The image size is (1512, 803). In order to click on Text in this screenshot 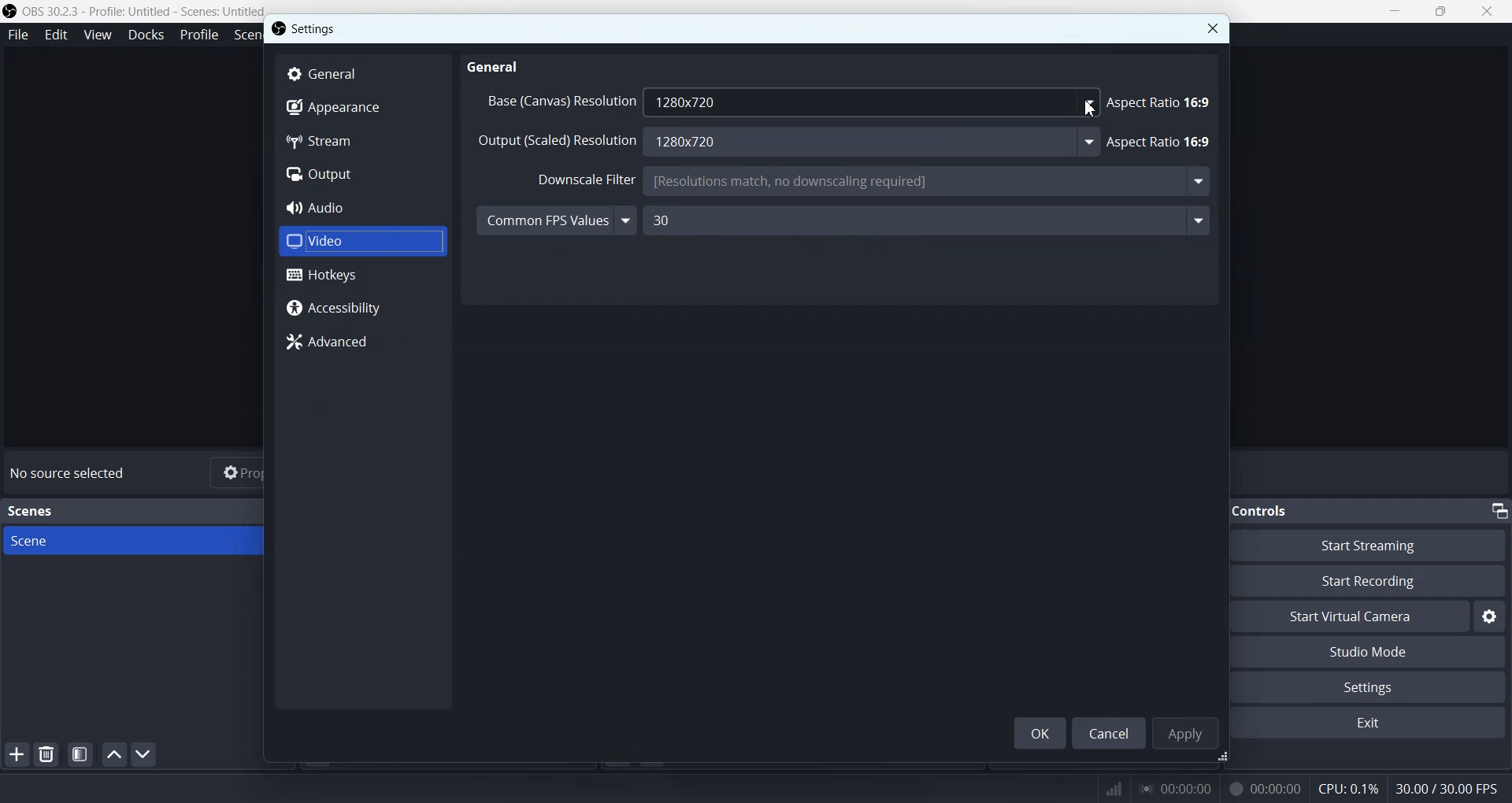, I will do `click(33, 511)`.